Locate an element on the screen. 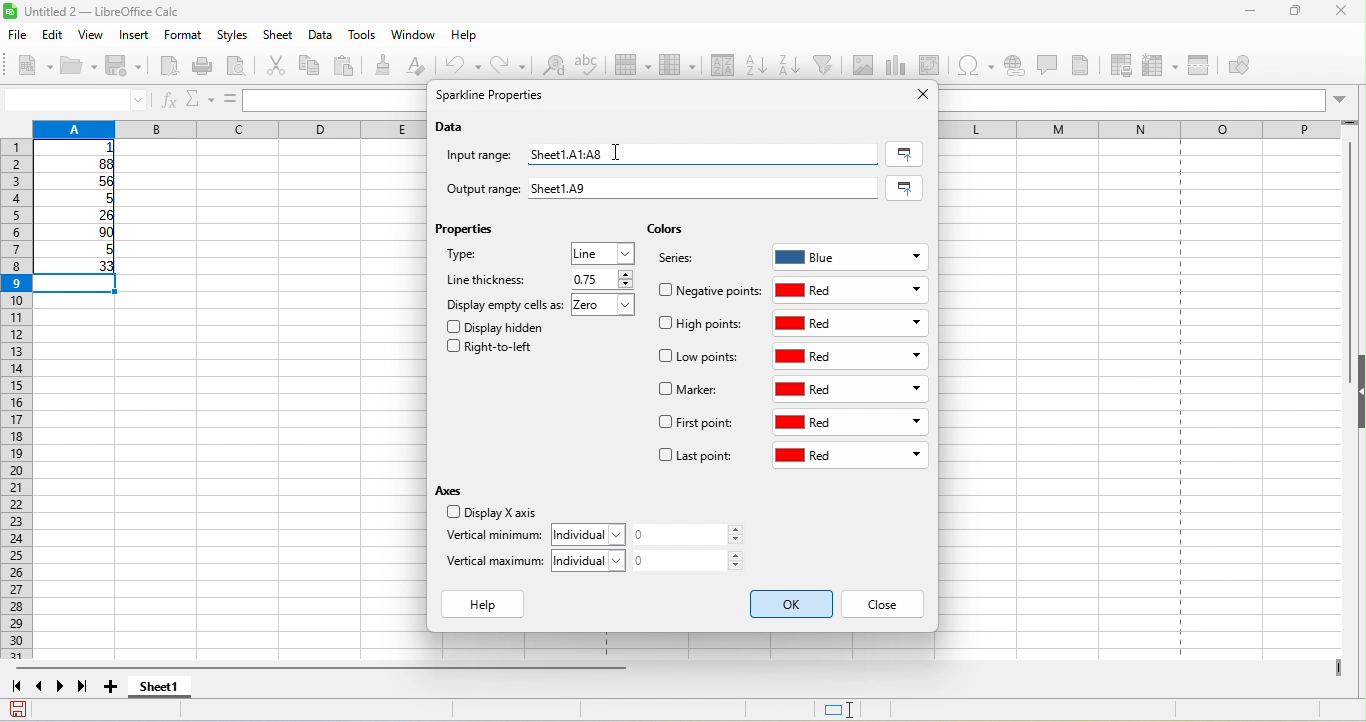  sheet 1 is located at coordinates (176, 689).